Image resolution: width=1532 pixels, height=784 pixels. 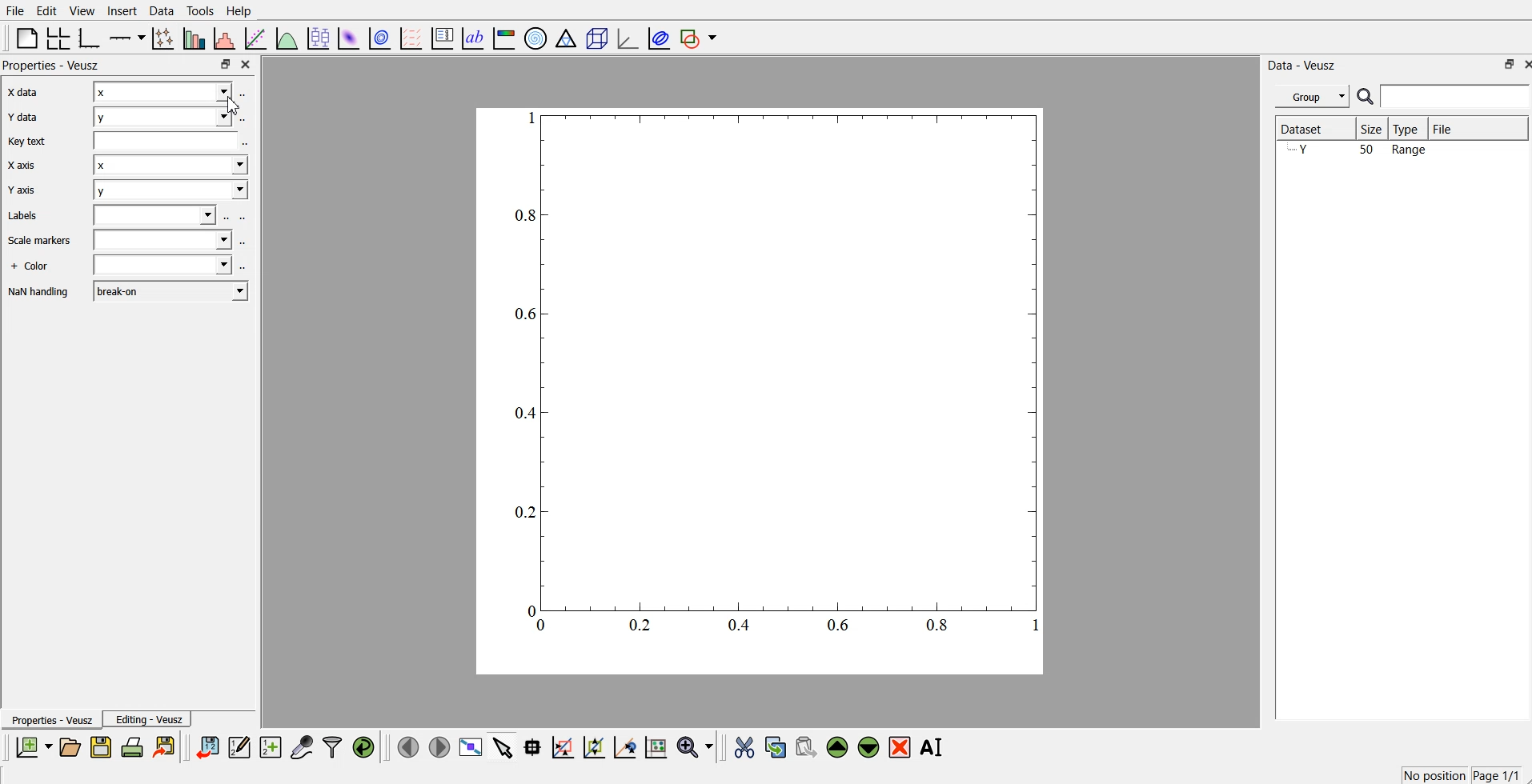 I want to click on Type, so click(x=1410, y=128).